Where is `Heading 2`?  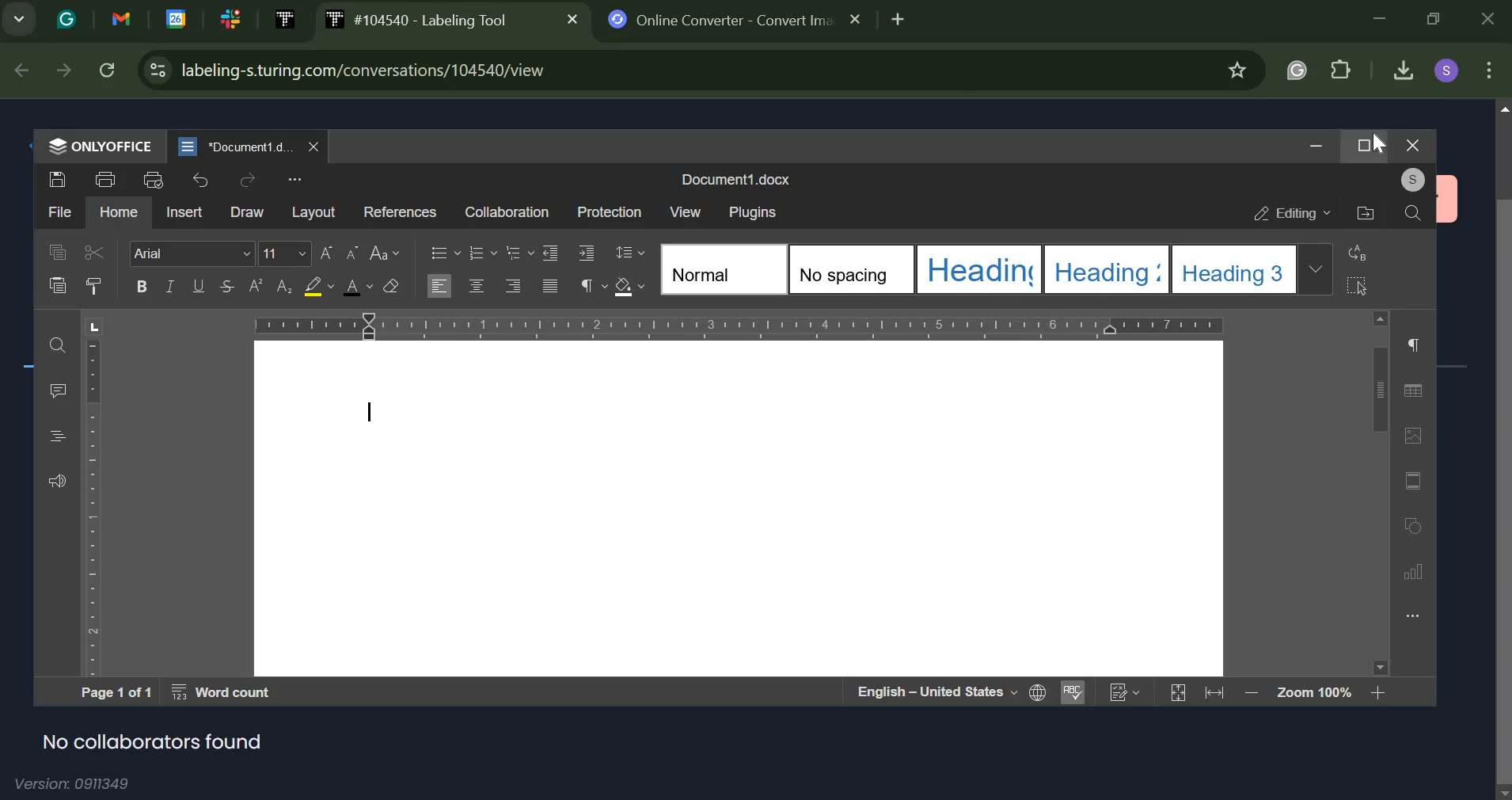
Heading 2 is located at coordinates (1108, 269).